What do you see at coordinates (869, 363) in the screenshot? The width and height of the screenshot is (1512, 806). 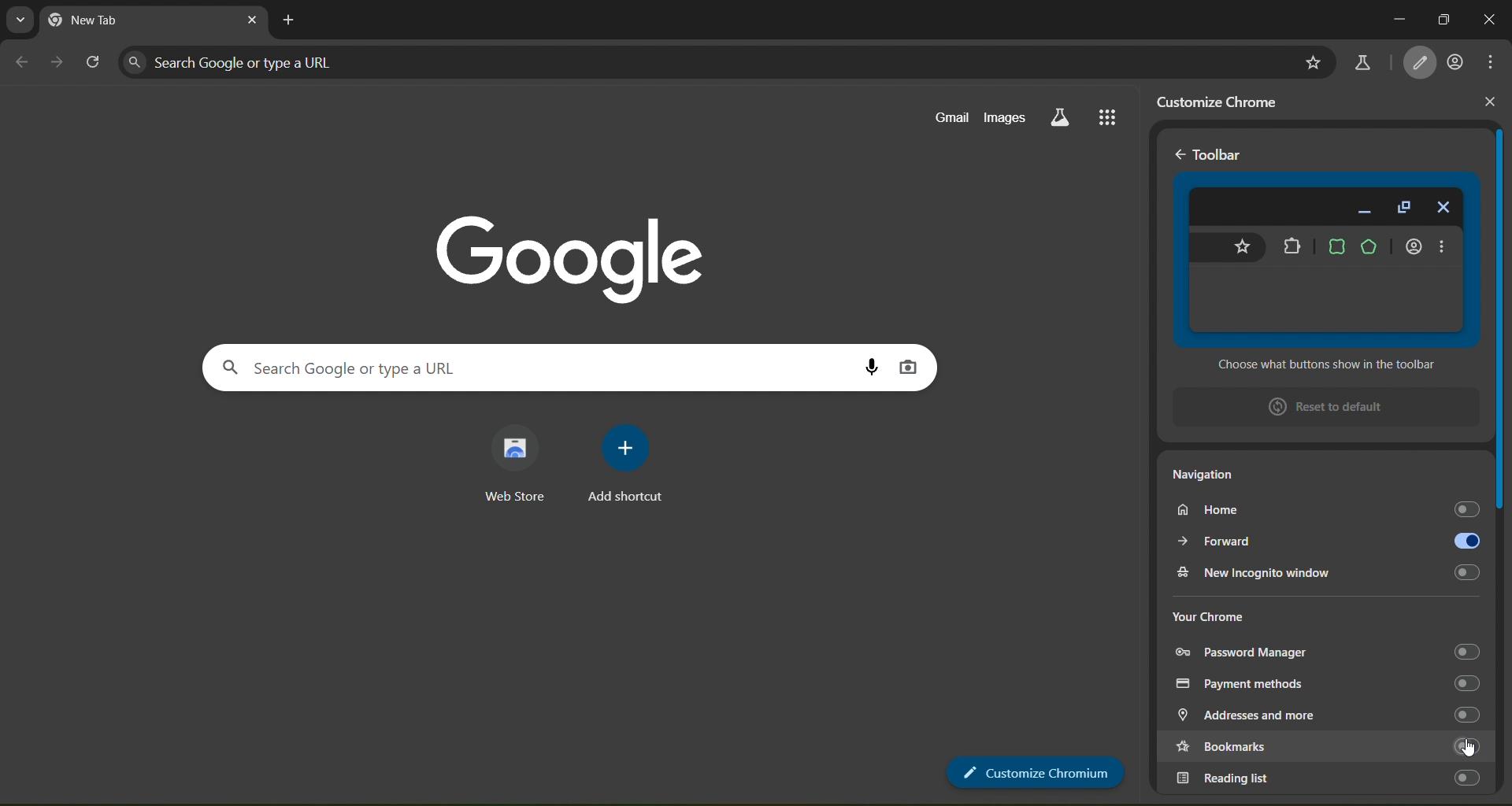 I see `voice search` at bounding box center [869, 363].